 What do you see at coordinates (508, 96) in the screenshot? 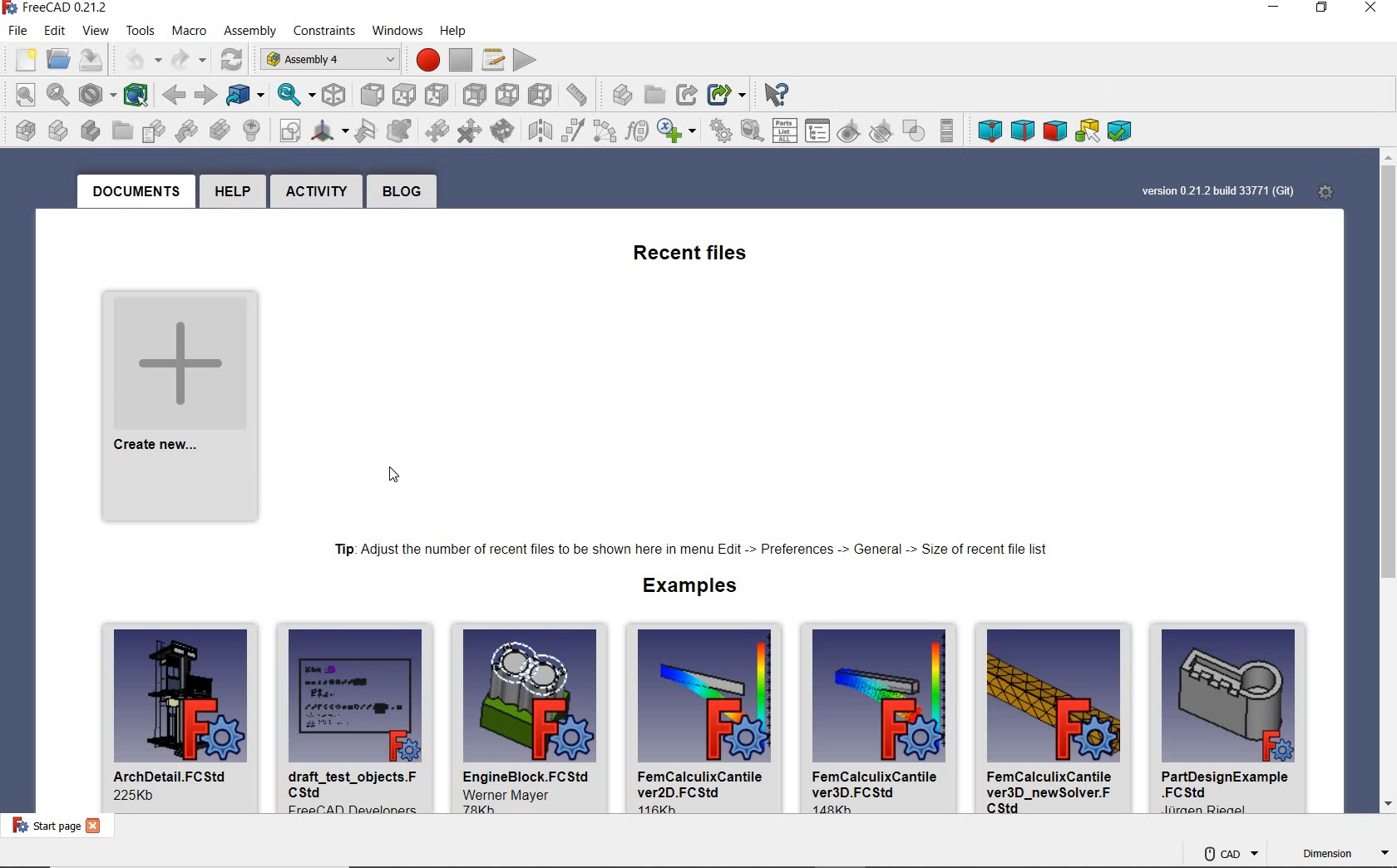
I see `bottom` at bounding box center [508, 96].